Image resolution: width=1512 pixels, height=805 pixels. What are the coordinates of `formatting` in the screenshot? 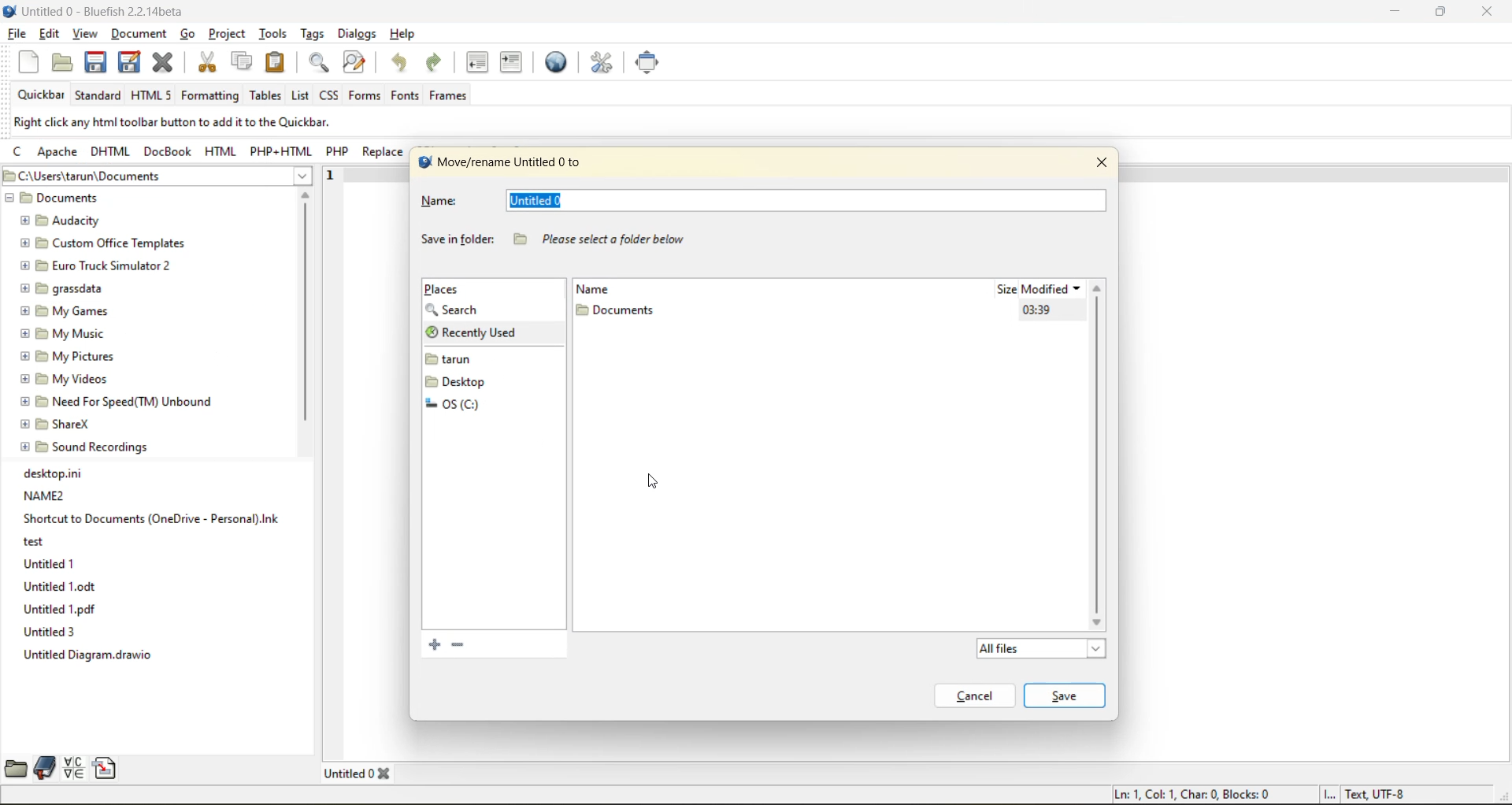 It's located at (211, 97).